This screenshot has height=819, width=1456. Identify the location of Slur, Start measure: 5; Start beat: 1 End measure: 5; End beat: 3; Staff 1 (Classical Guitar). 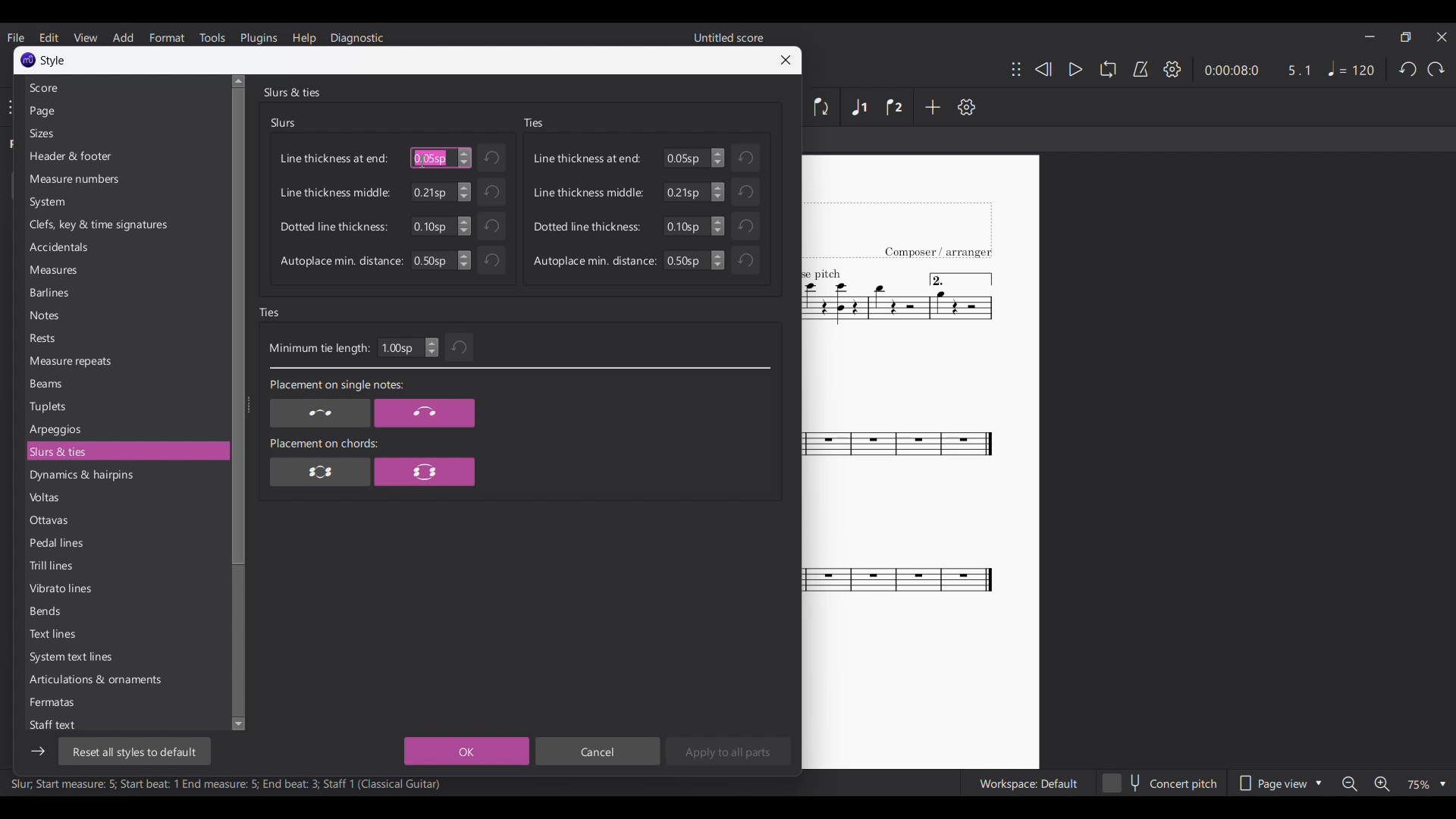
(226, 786).